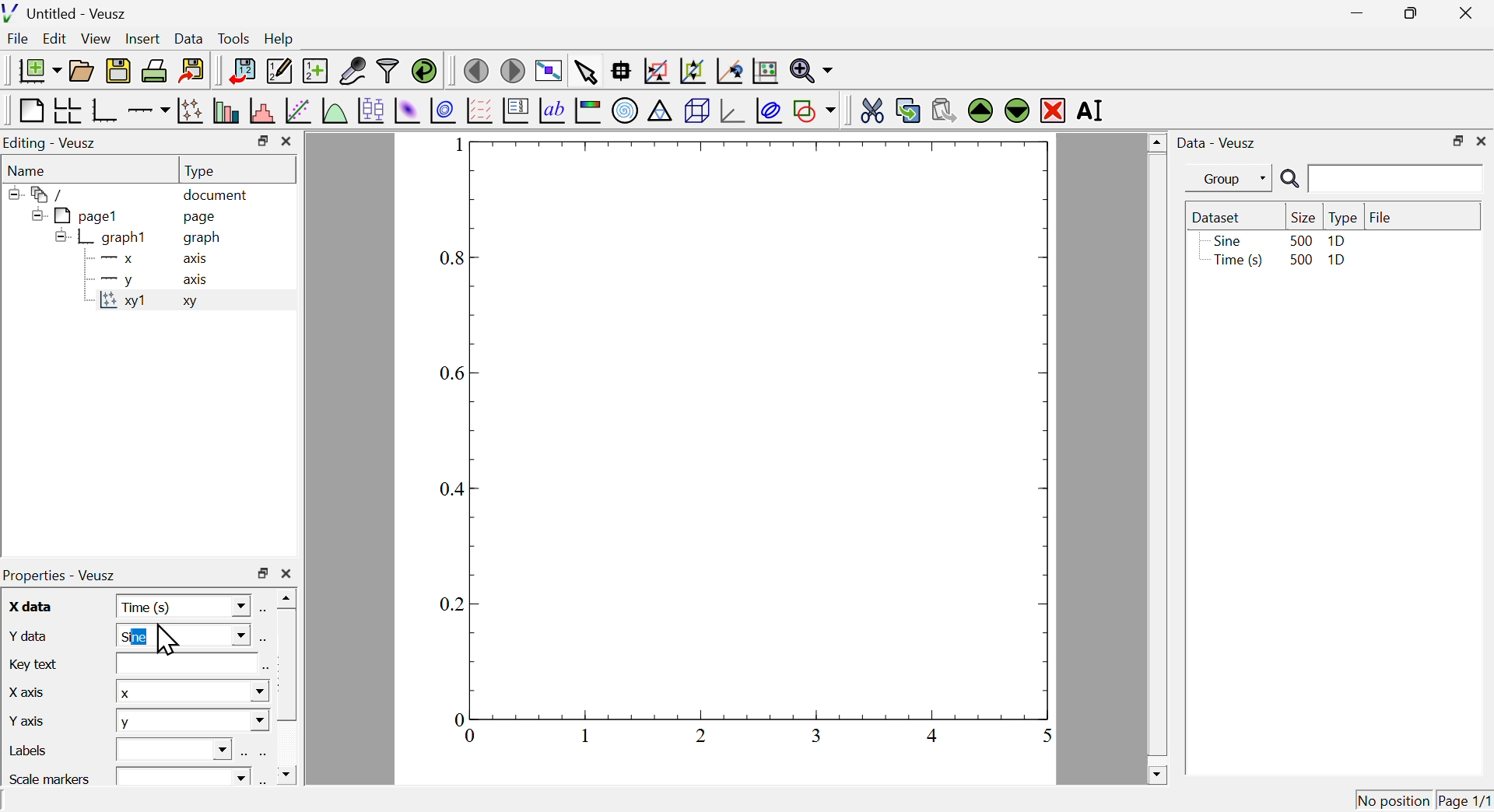  I want to click on axis, so click(198, 280).